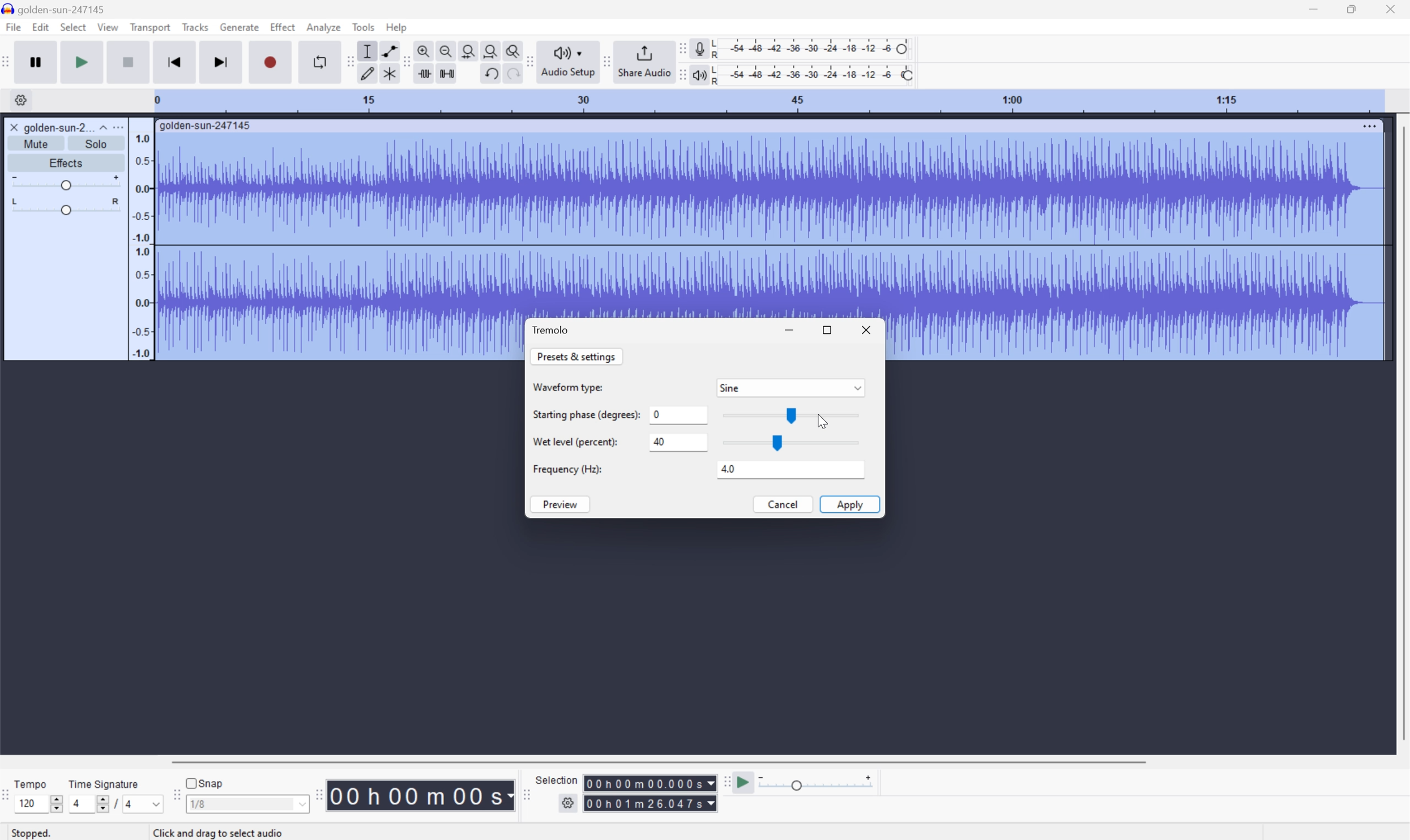 The image size is (1410, 840). Describe the element at coordinates (822, 422) in the screenshot. I see `Cursor` at that location.